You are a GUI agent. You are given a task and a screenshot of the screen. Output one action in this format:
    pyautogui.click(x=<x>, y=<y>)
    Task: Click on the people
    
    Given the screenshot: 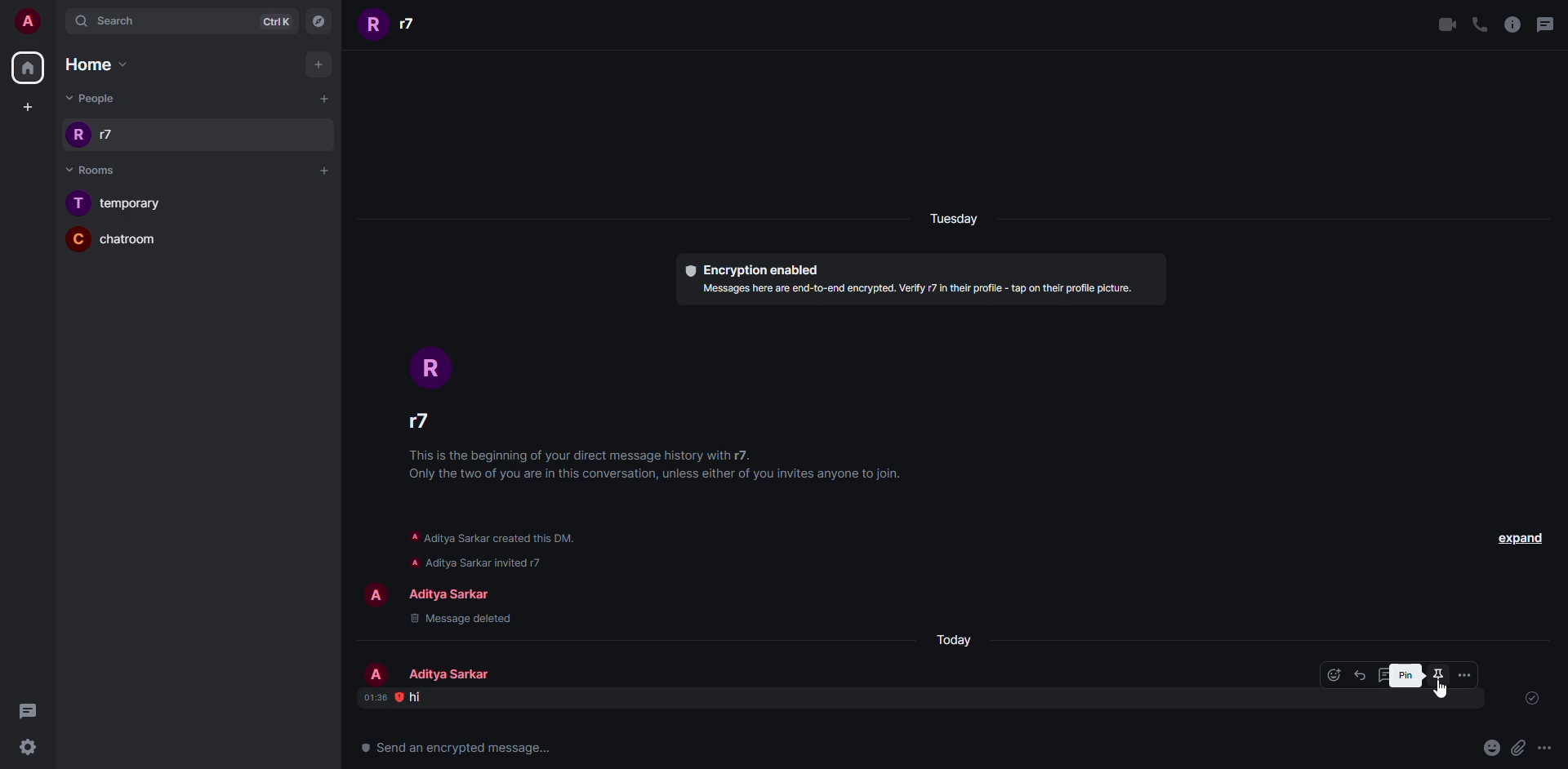 What is the action you would take?
    pyautogui.click(x=398, y=23)
    